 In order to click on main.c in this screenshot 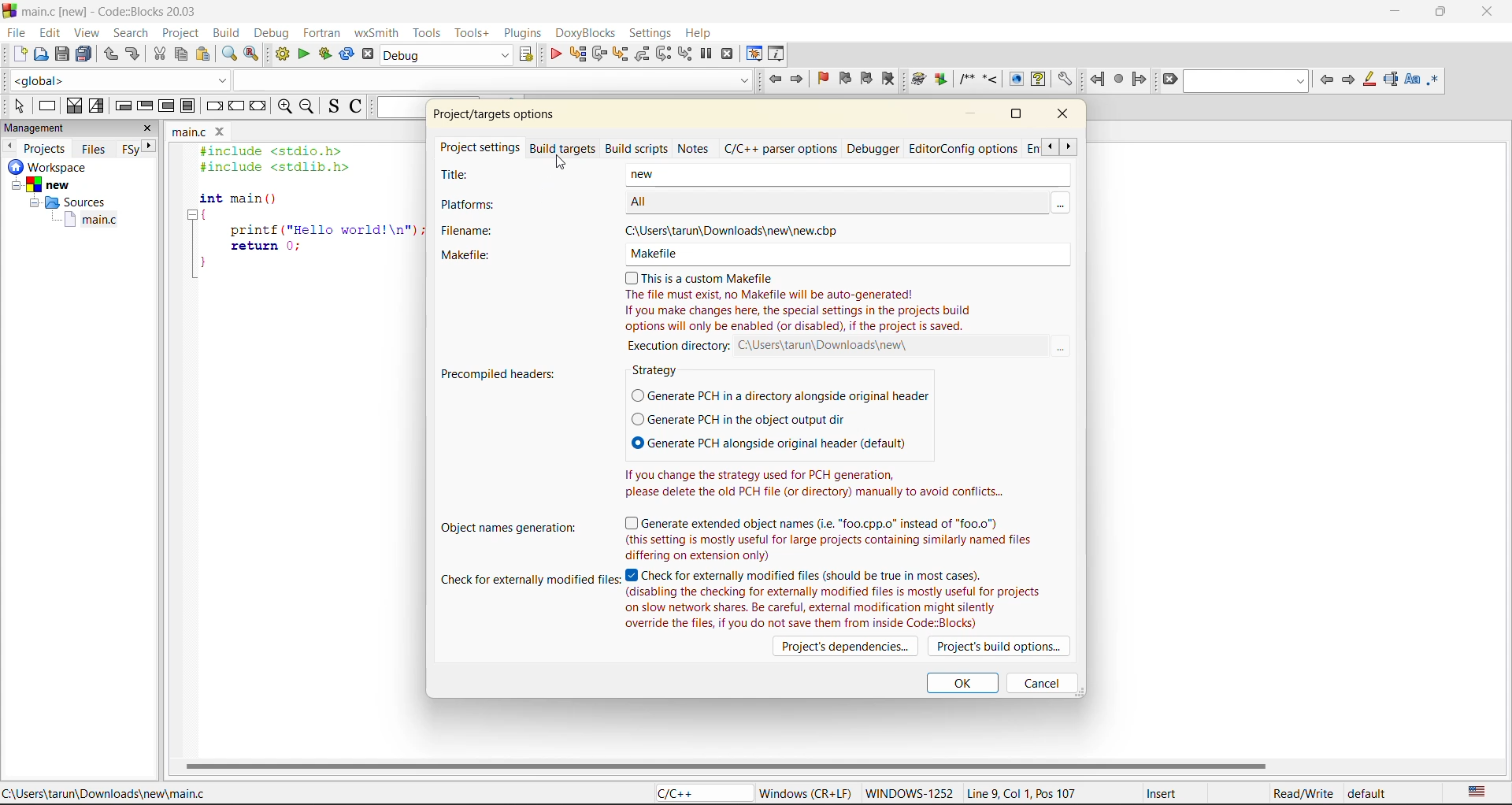, I will do `click(187, 132)`.